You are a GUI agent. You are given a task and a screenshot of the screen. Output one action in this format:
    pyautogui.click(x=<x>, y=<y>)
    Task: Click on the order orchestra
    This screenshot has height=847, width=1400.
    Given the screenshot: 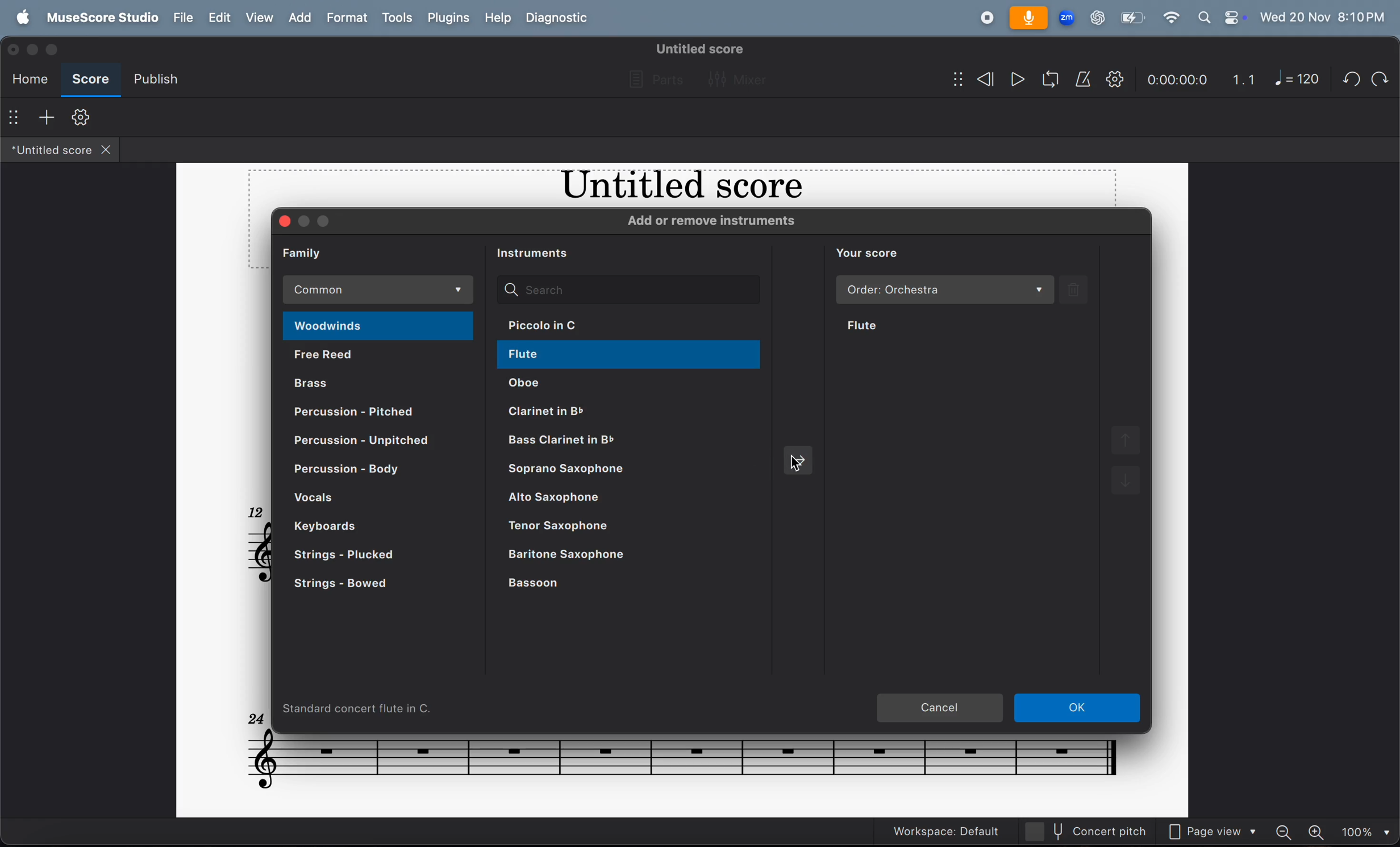 What is the action you would take?
    pyautogui.click(x=943, y=290)
    